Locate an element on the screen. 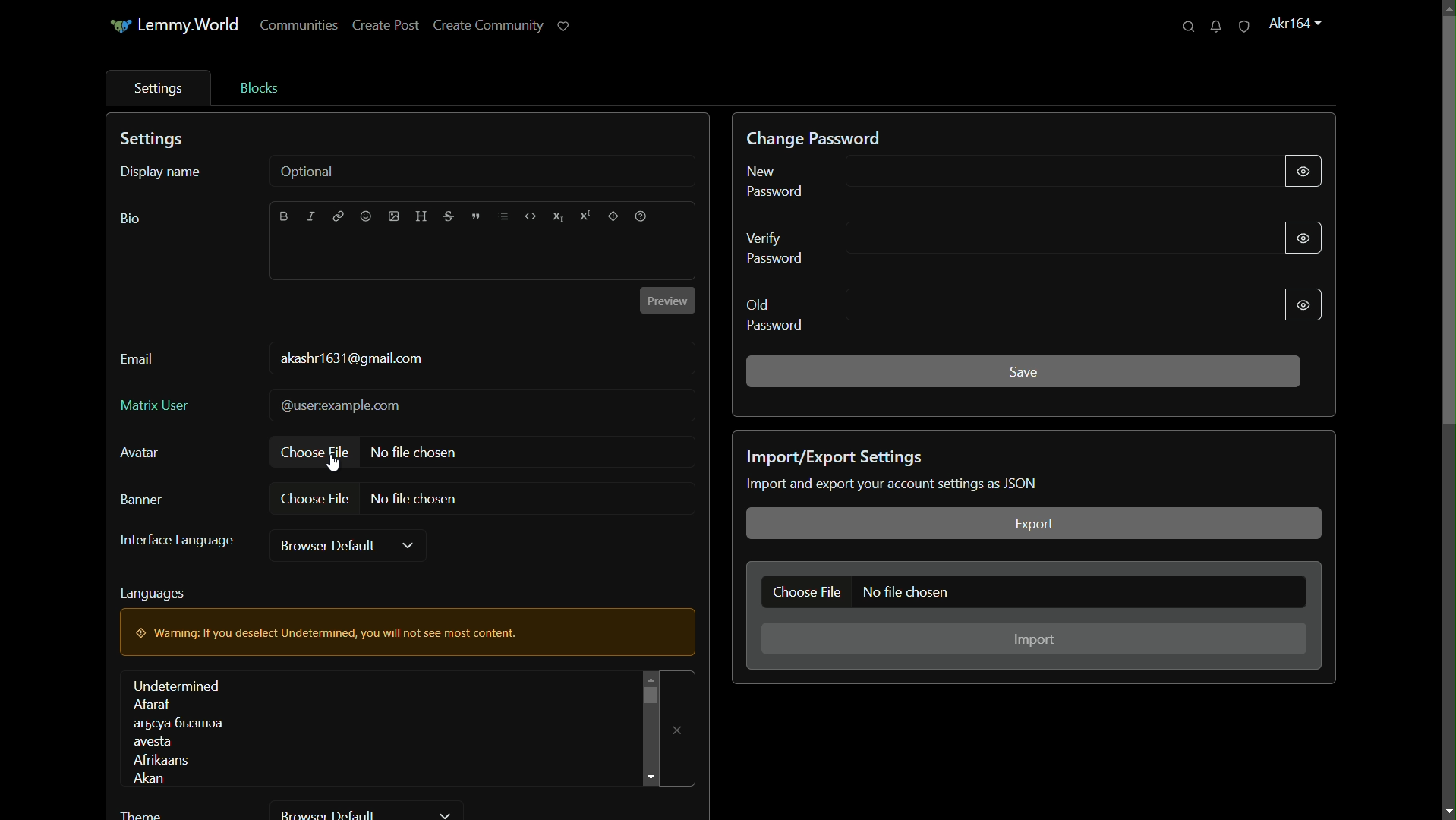 The image size is (1456, 820). search is located at coordinates (1187, 27).